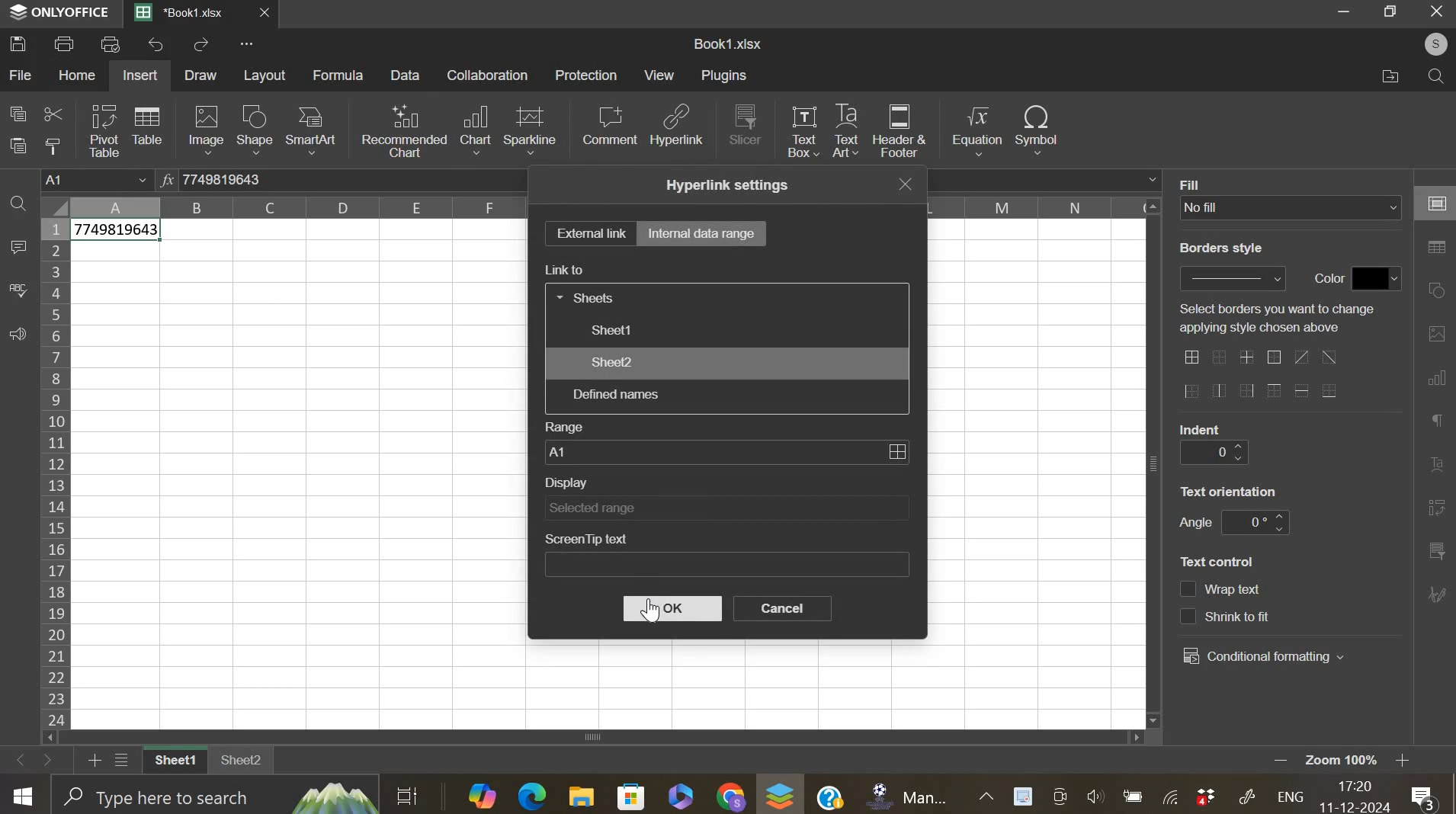  I want to click on feedback, so click(17, 335).